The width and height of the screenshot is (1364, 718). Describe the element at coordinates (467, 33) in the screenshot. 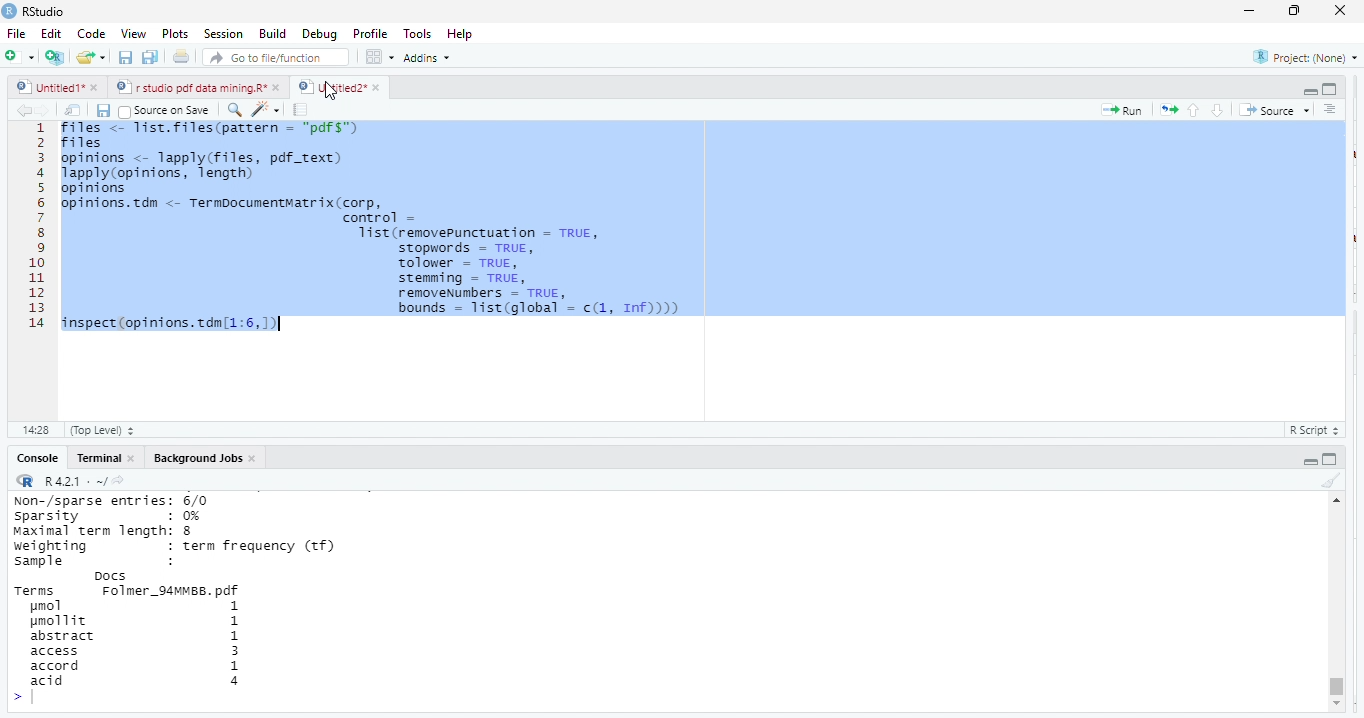

I see `help` at that location.